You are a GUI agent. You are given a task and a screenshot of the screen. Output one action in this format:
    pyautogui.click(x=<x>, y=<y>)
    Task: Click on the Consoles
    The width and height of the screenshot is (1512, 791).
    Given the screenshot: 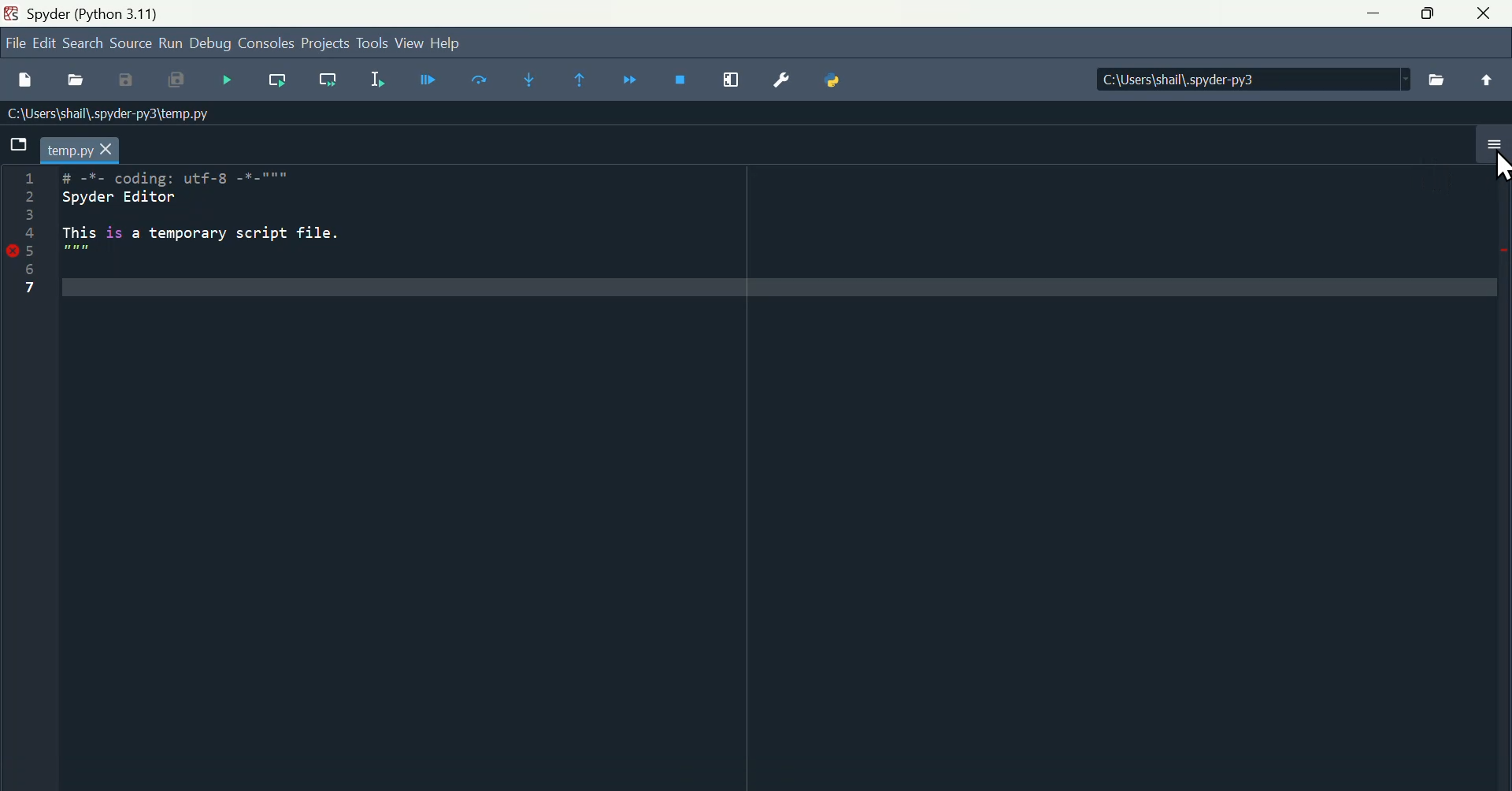 What is the action you would take?
    pyautogui.click(x=269, y=47)
    